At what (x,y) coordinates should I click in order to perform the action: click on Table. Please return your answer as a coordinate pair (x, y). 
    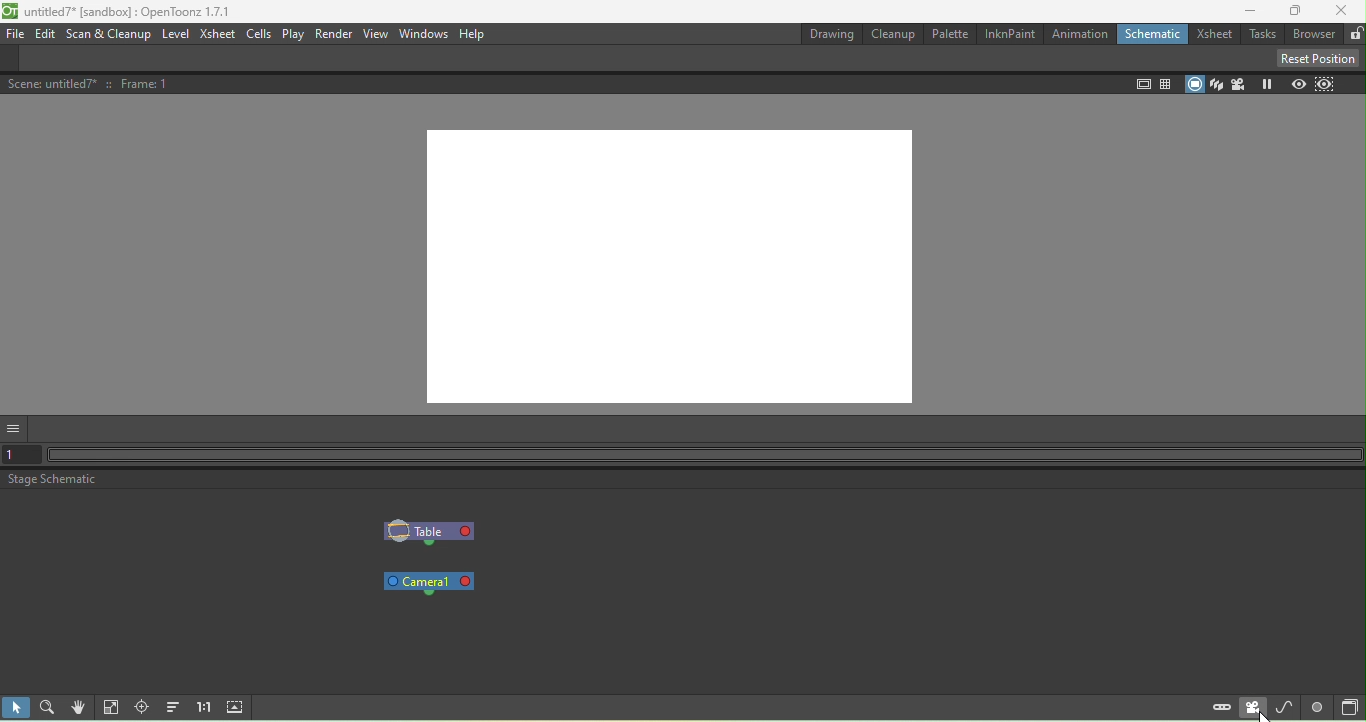
    Looking at the image, I should click on (430, 533).